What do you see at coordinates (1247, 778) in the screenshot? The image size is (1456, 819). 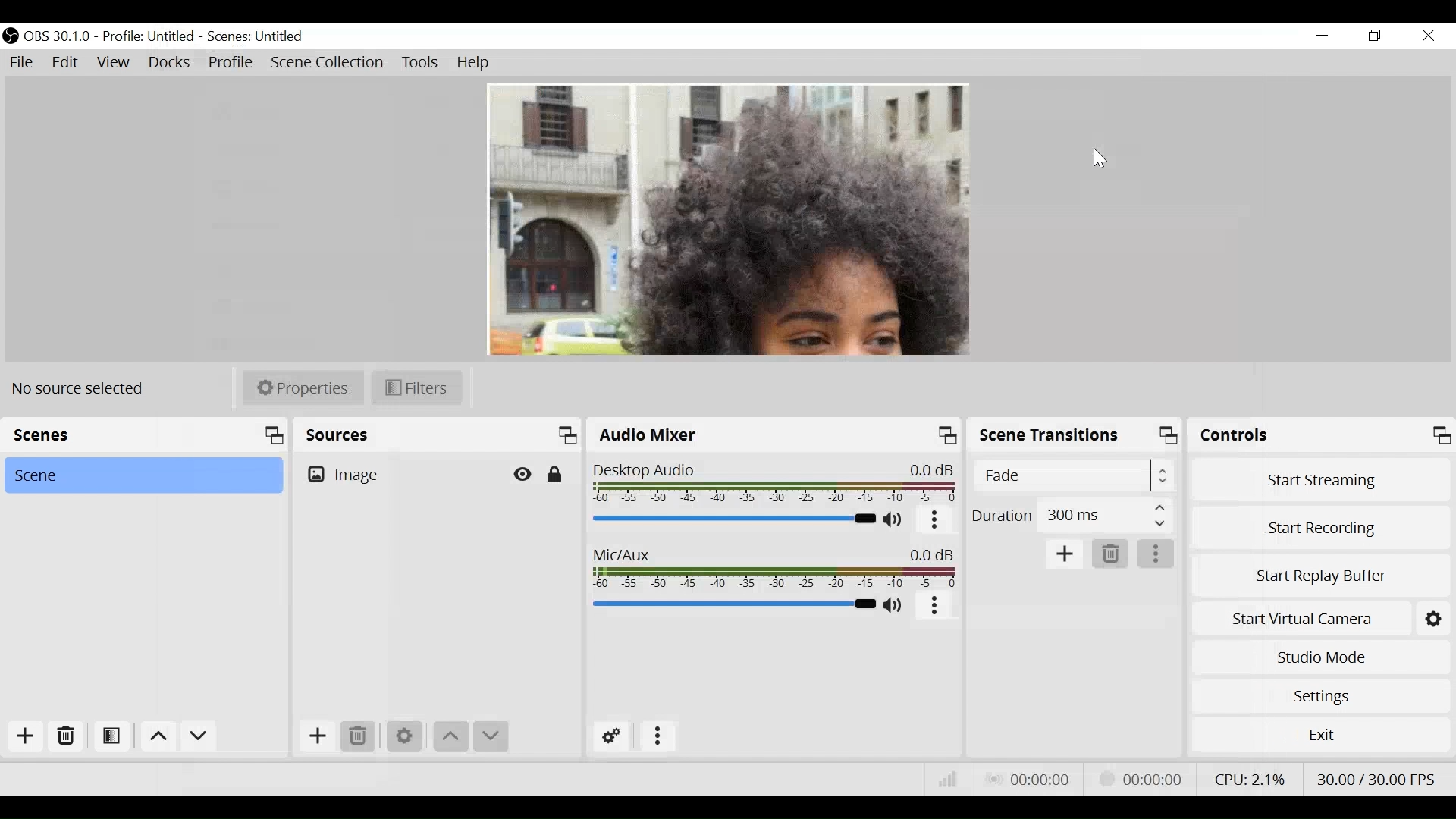 I see `CPU: 2.1%` at bounding box center [1247, 778].